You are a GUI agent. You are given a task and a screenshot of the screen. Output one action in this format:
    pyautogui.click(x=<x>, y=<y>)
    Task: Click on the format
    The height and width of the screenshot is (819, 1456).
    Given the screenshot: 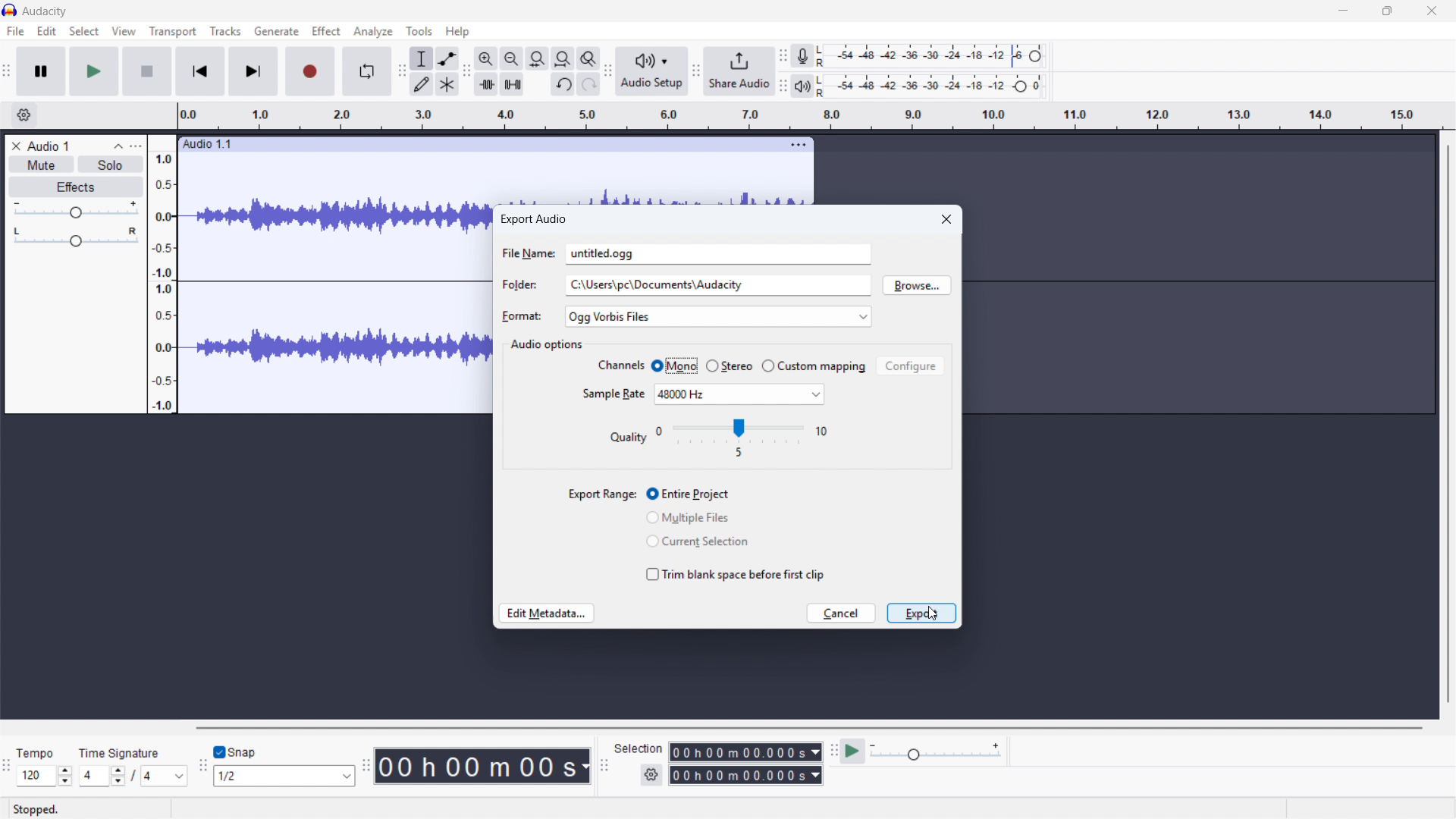 What is the action you would take?
    pyautogui.click(x=519, y=317)
    